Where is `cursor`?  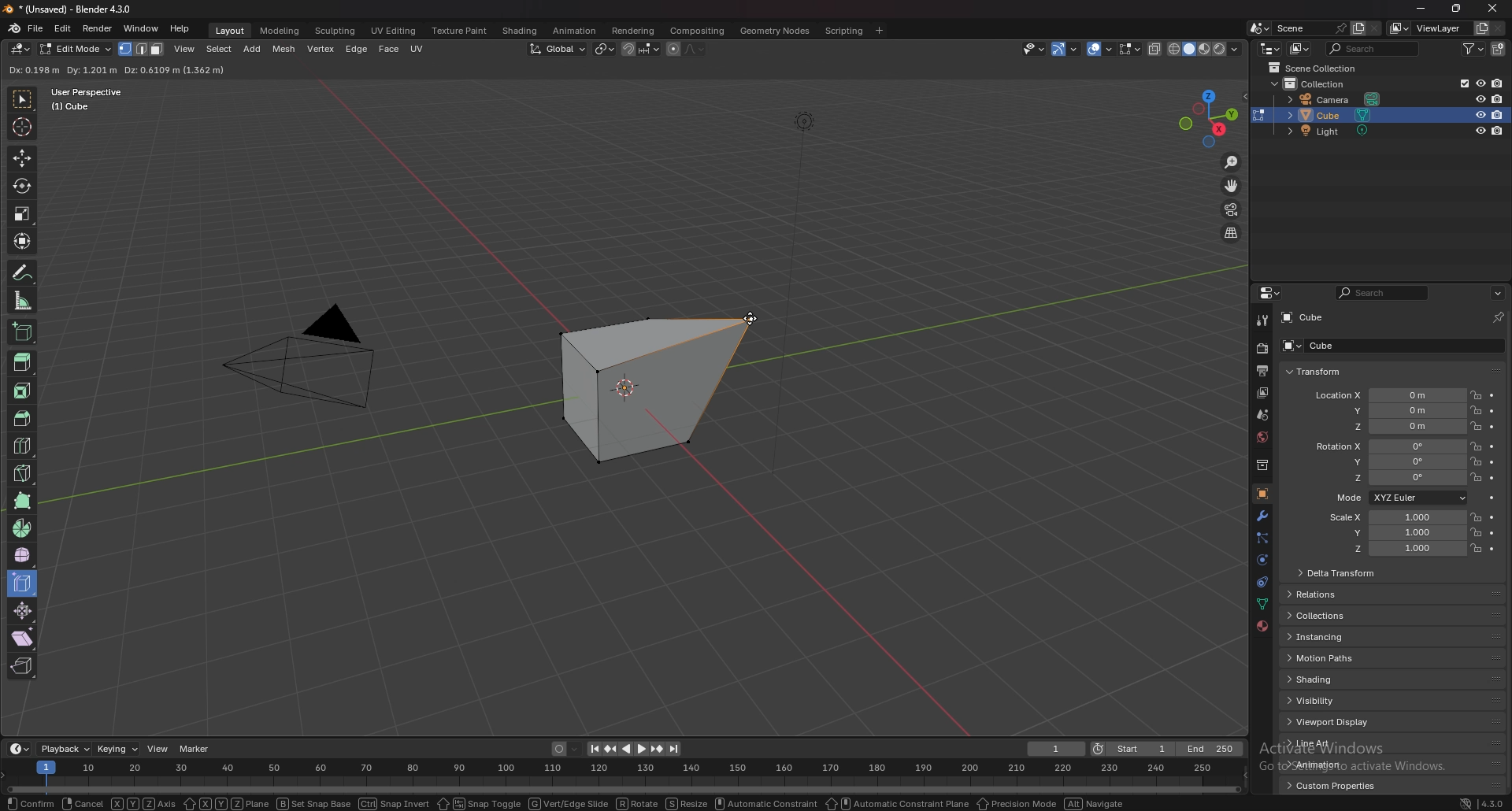
cursor is located at coordinates (752, 316).